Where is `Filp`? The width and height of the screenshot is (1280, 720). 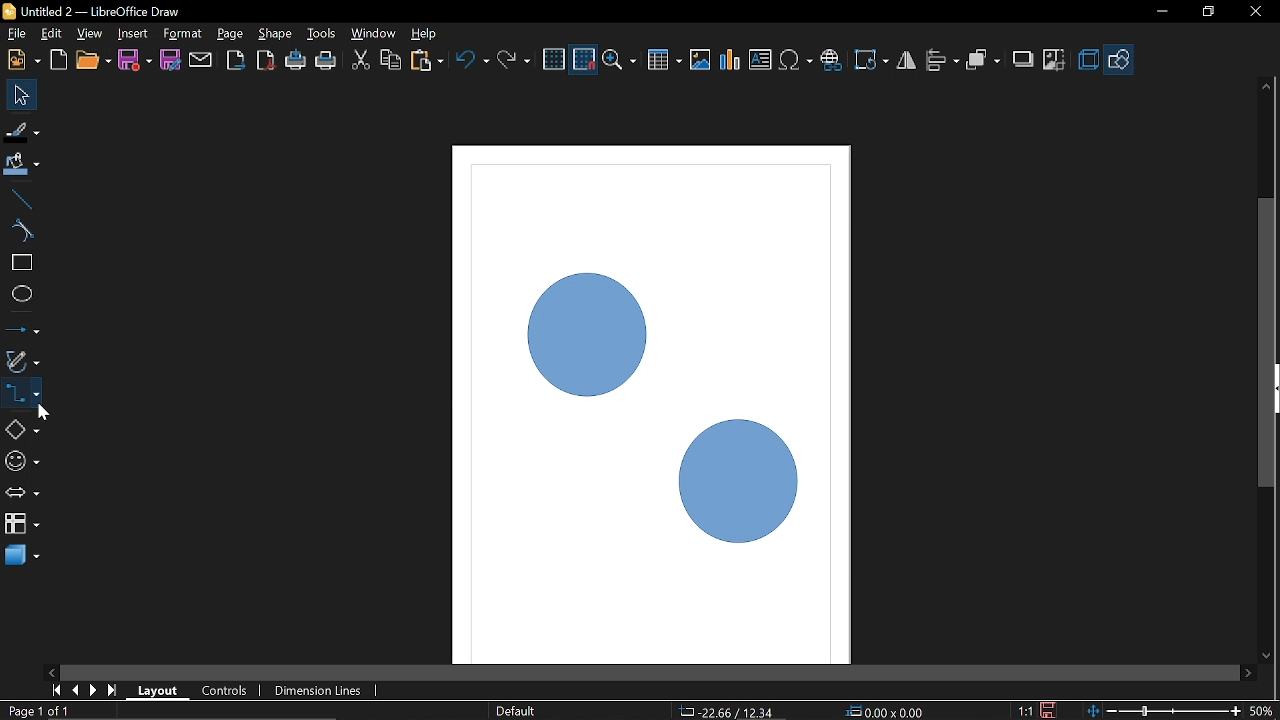 Filp is located at coordinates (907, 63).